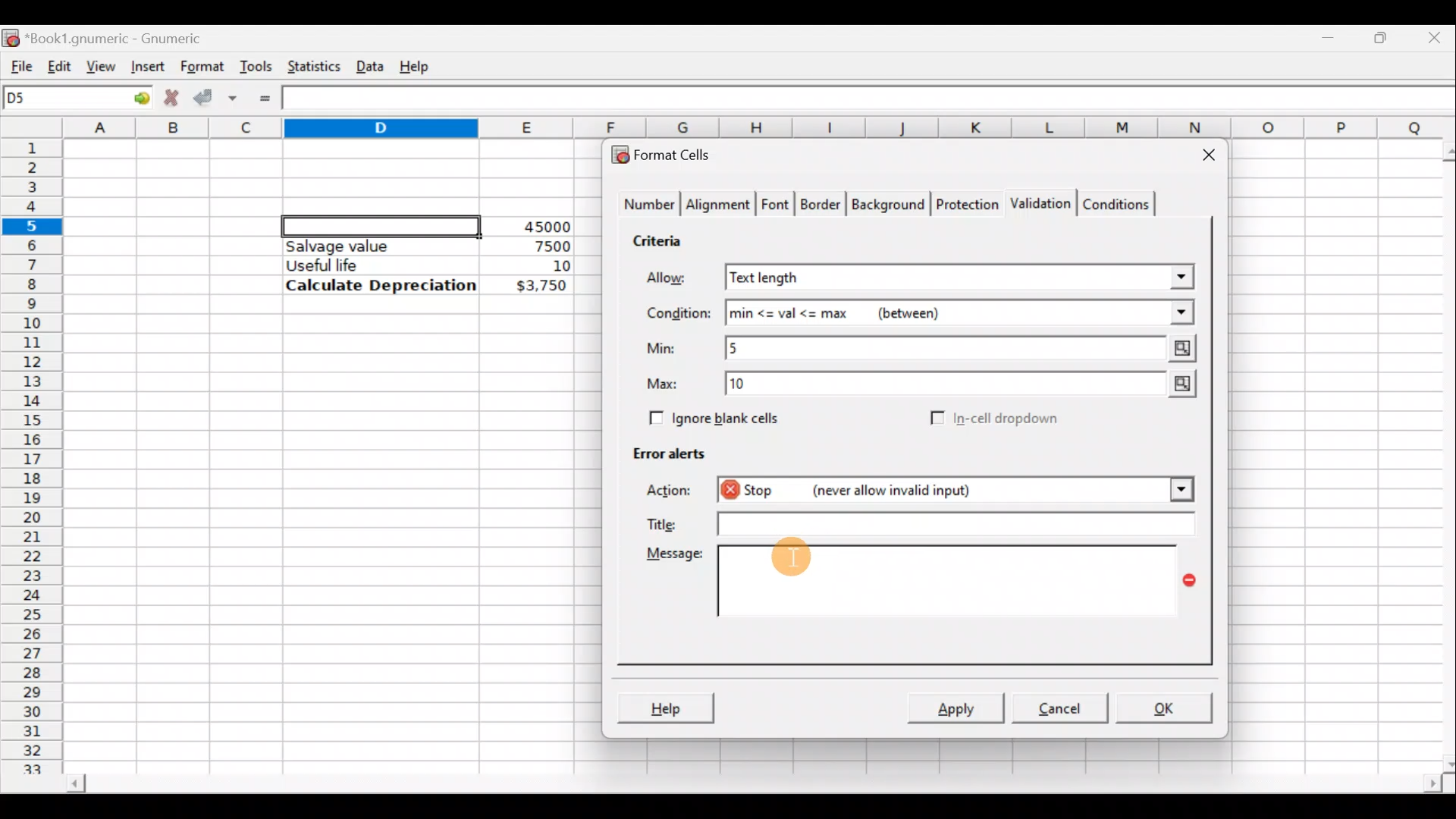 This screenshot has height=819, width=1456. What do you see at coordinates (543, 266) in the screenshot?
I see `10` at bounding box center [543, 266].